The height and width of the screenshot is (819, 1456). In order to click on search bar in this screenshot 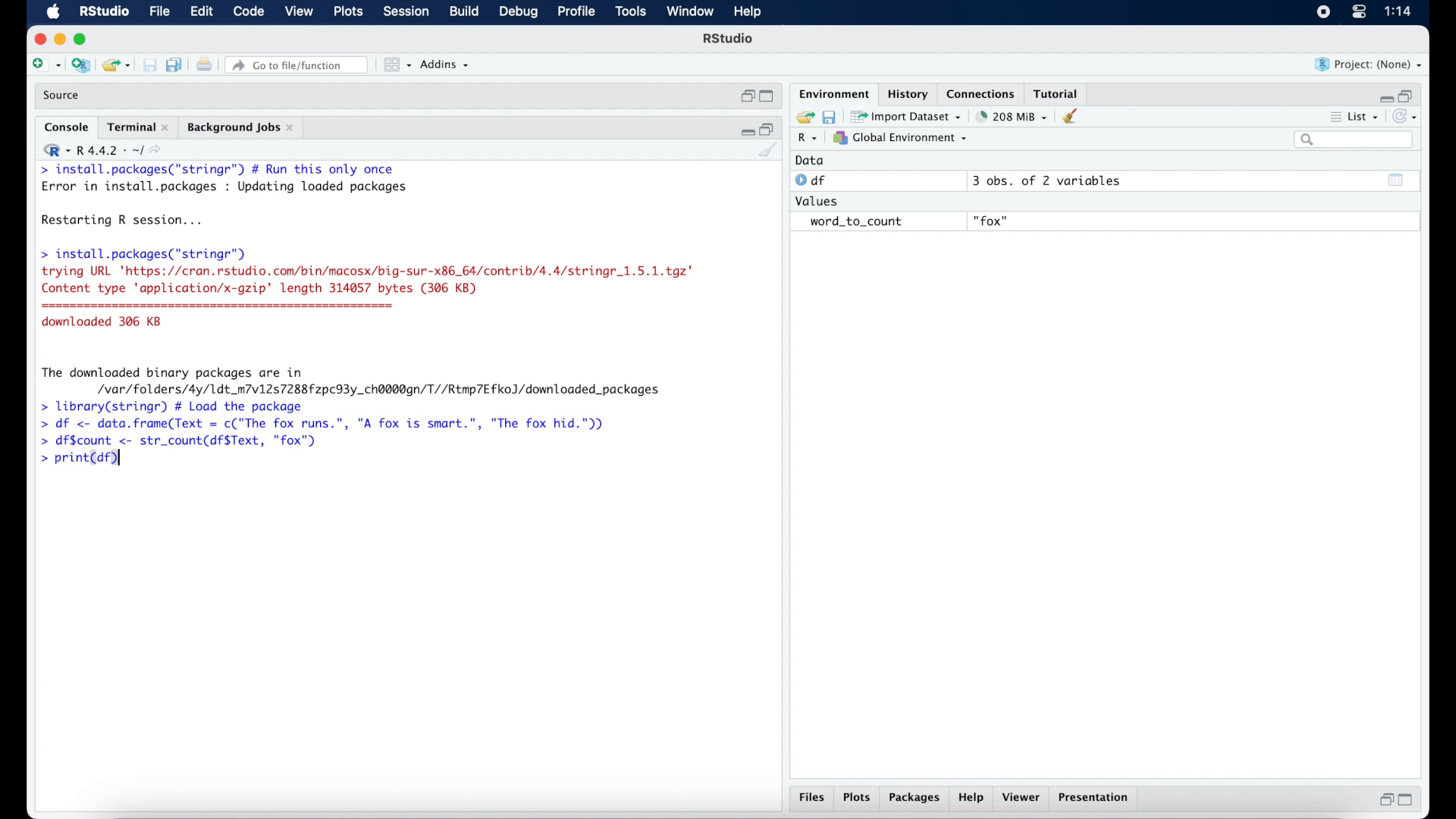, I will do `click(1356, 140)`.